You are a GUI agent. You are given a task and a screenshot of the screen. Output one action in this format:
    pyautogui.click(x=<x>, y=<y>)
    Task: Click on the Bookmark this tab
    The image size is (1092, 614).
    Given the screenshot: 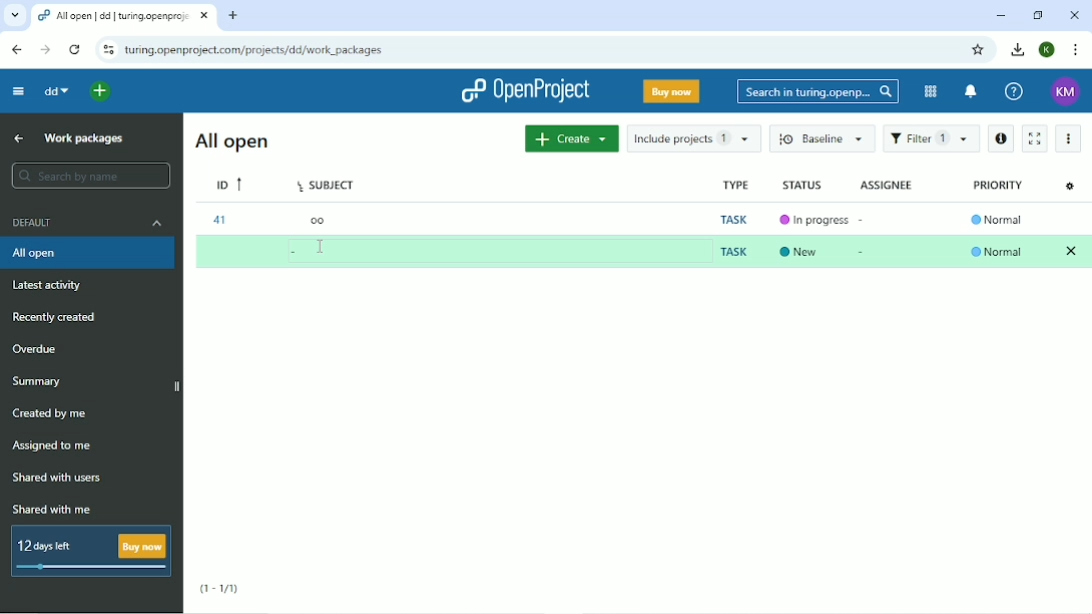 What is the action you would take?
    pyautogui.click(x=979, y=50)
    